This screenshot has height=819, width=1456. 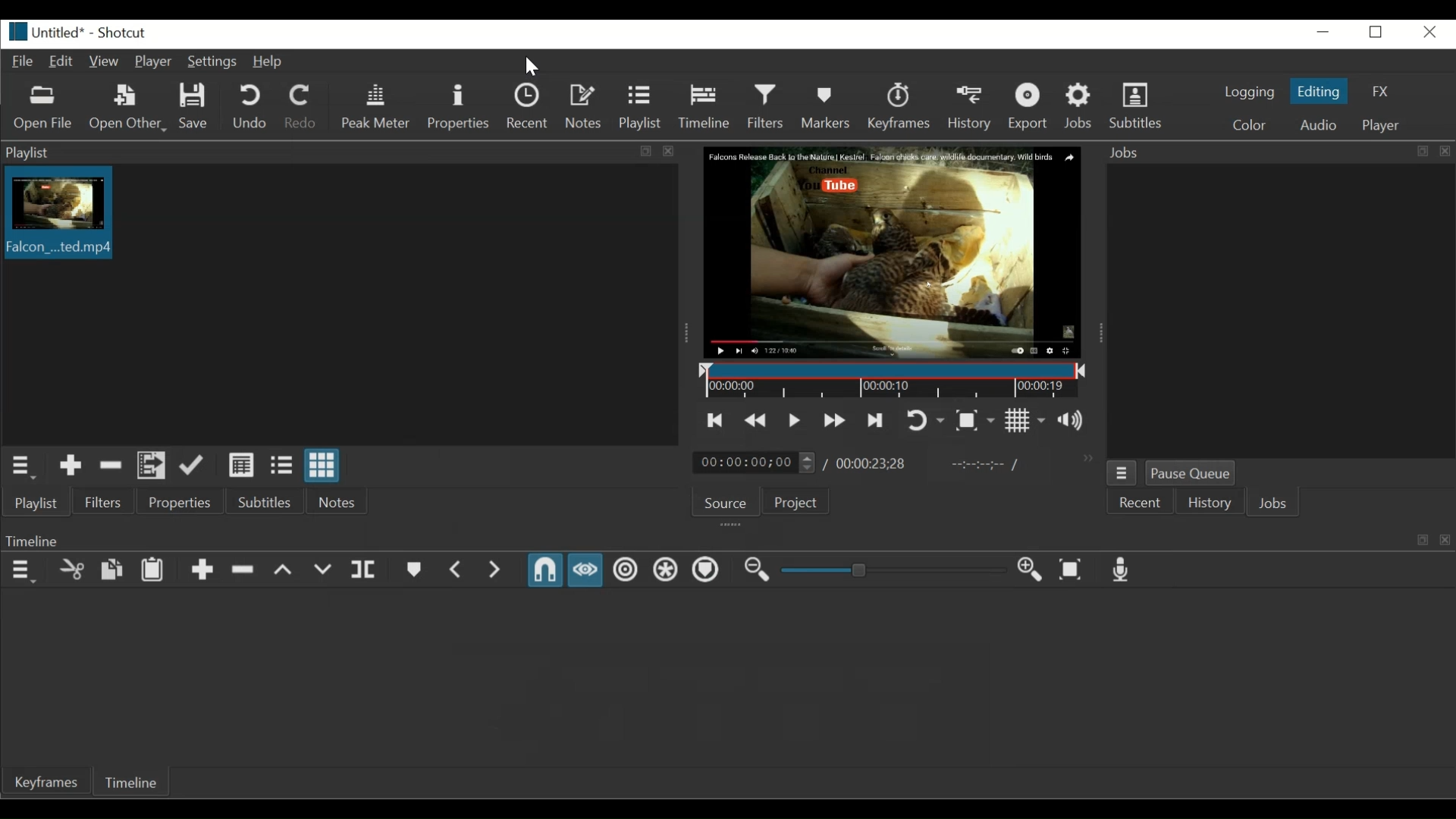 What do you see at coordinates (715, 420) in the screenshot?
I see `Skip to the previous point` at bounding box center [715, 420].